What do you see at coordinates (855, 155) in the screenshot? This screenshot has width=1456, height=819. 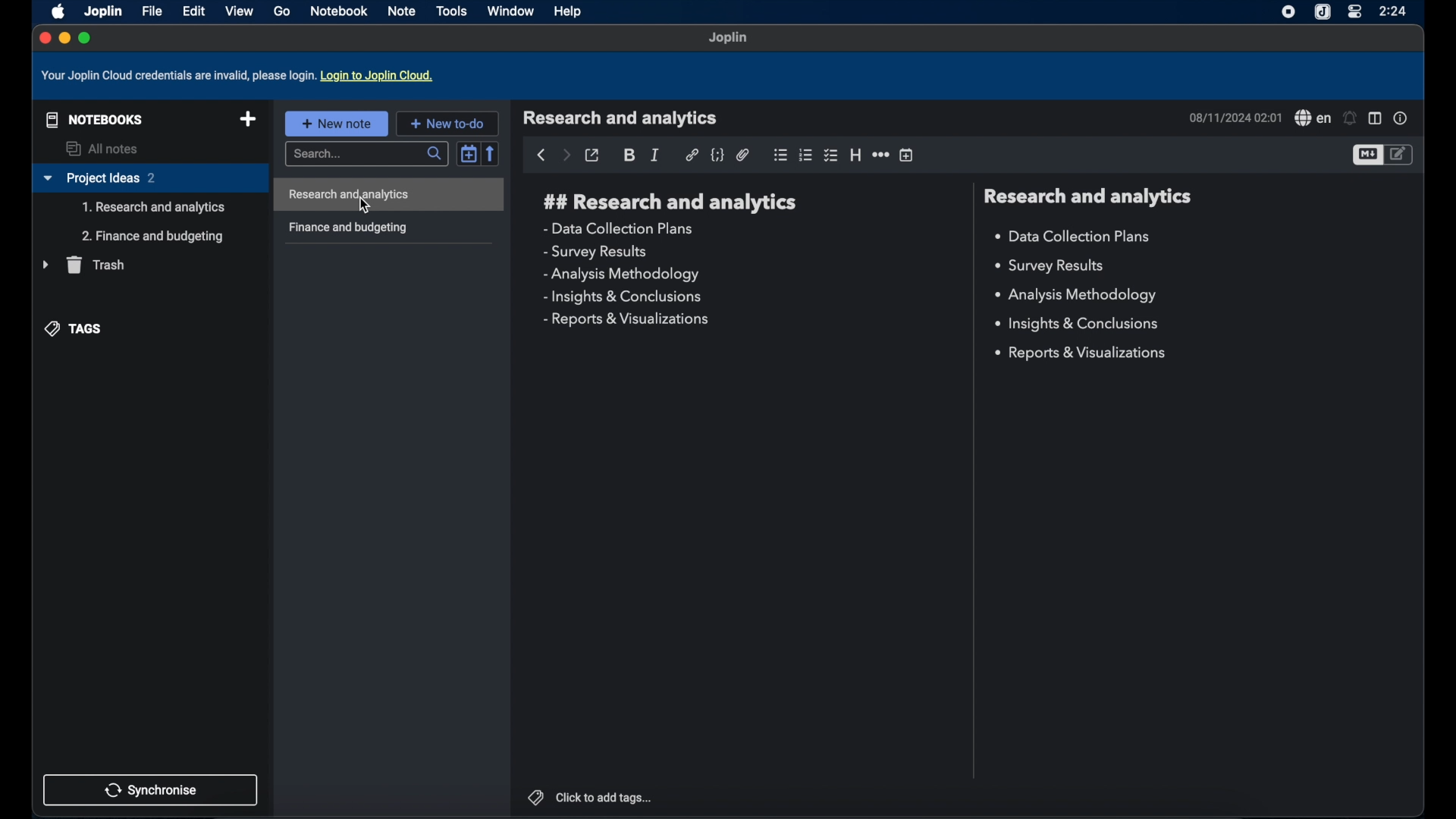 I see `heading` at bounding box center [855, 155].